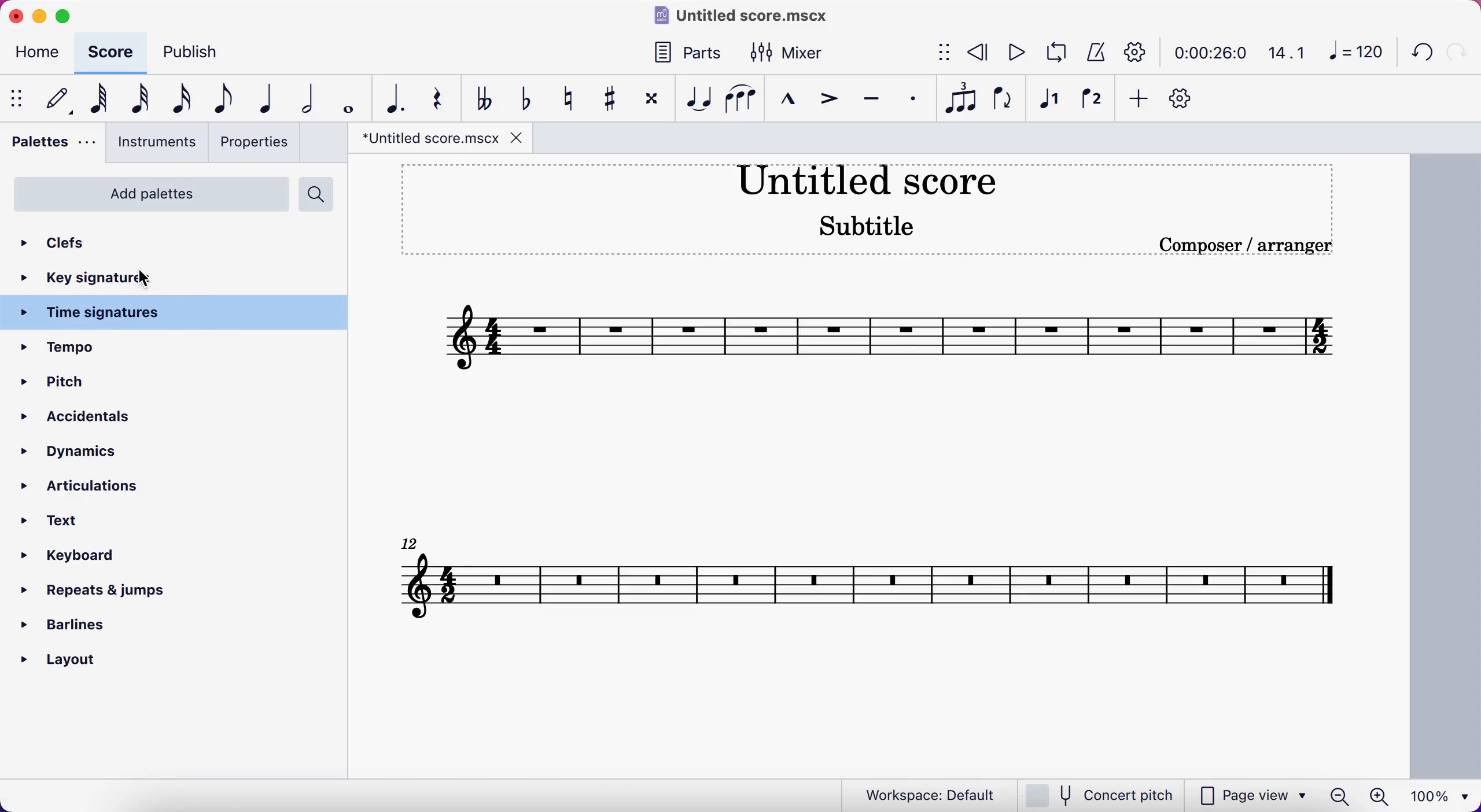  Describe the element at coordinates (196, 52) in the screenshot. I see `publish` at that location.